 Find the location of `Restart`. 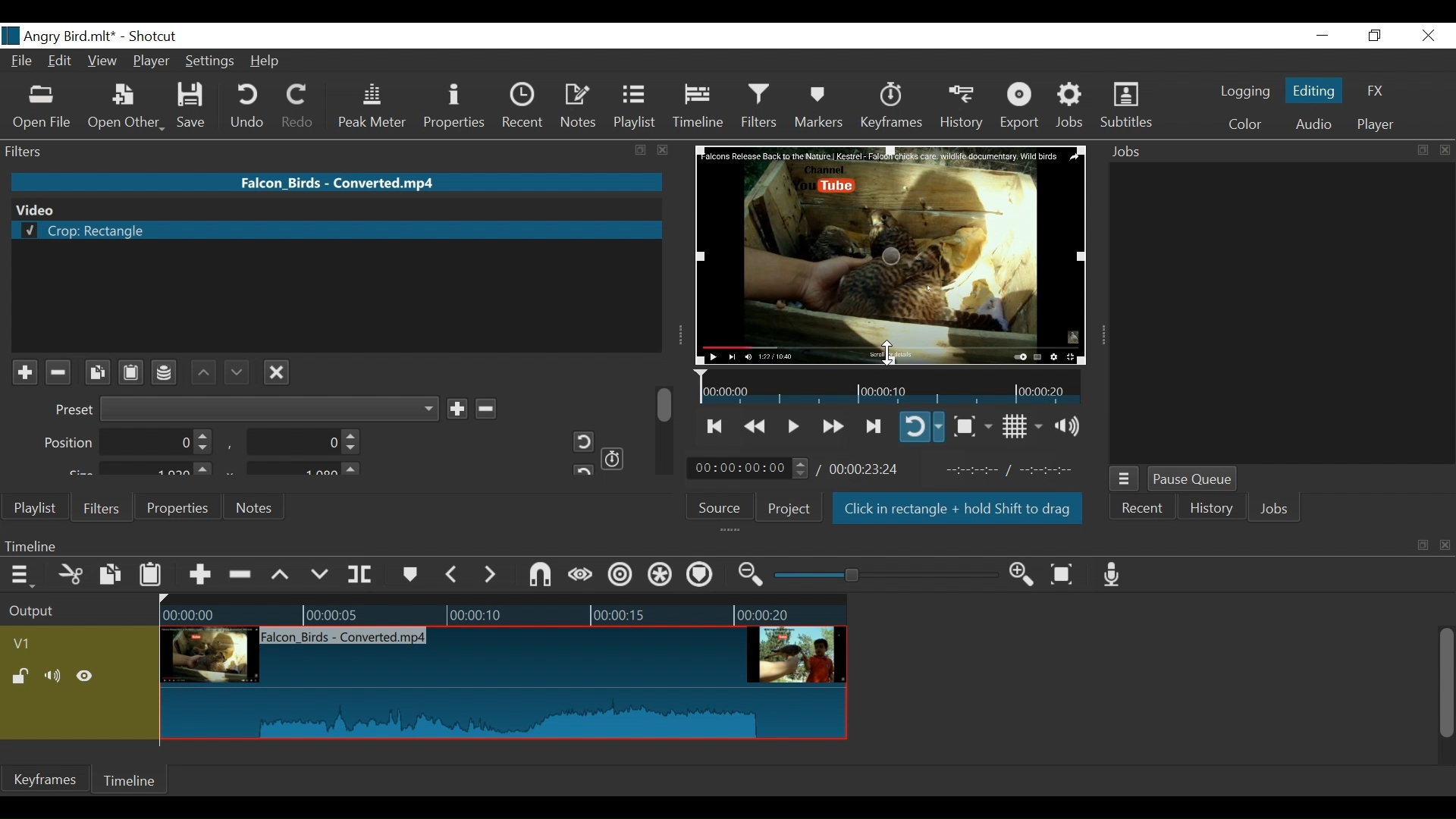

Restart is located at coordinates (578, 441).